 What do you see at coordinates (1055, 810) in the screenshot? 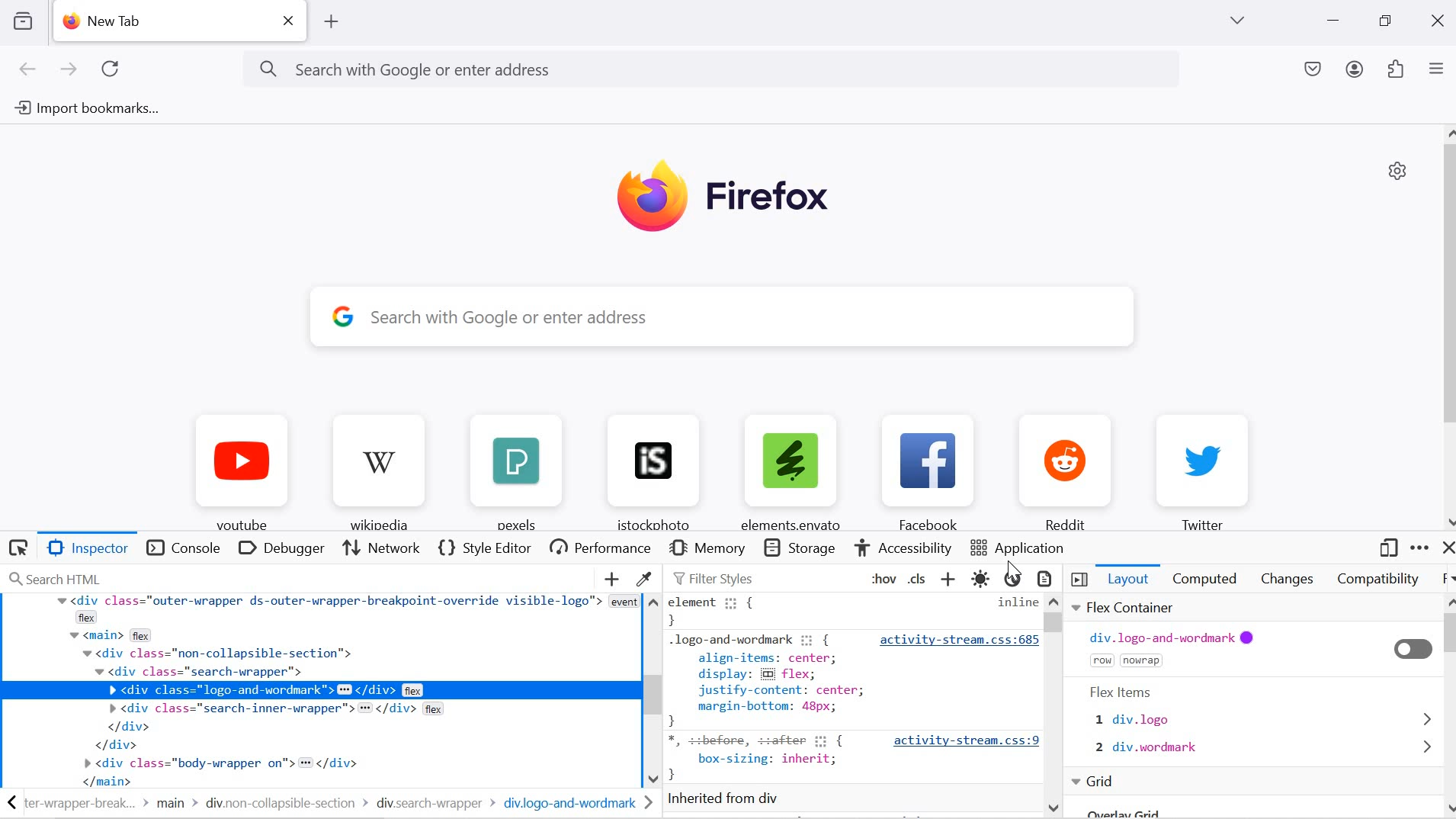
I see `move down` at bounding box center [1055, 810].